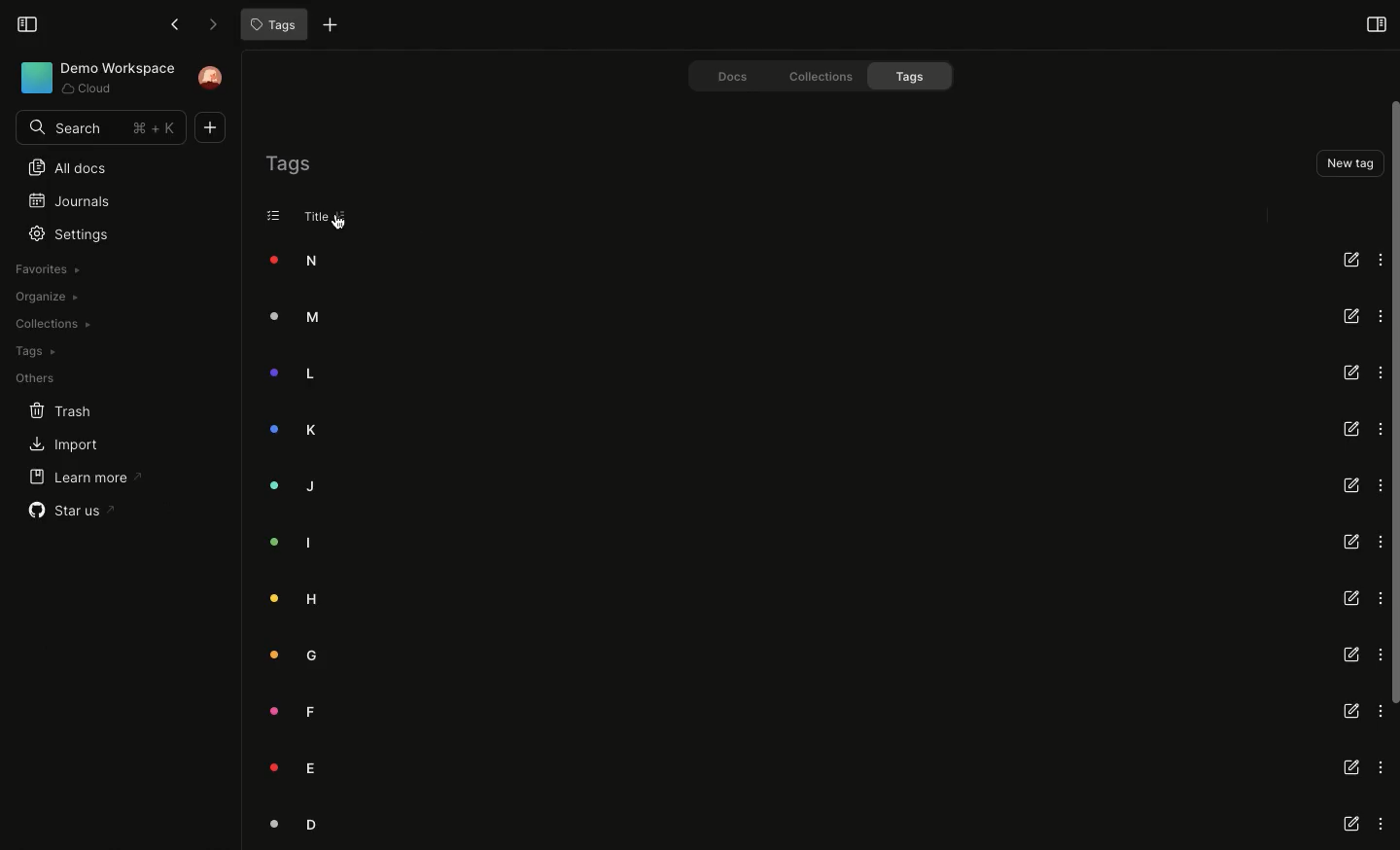 This screenshot has width=1400, height=850. What do you see at coordinates (274, 215) in the screenshot?
I see `List view` at bounding box center [274, 215].